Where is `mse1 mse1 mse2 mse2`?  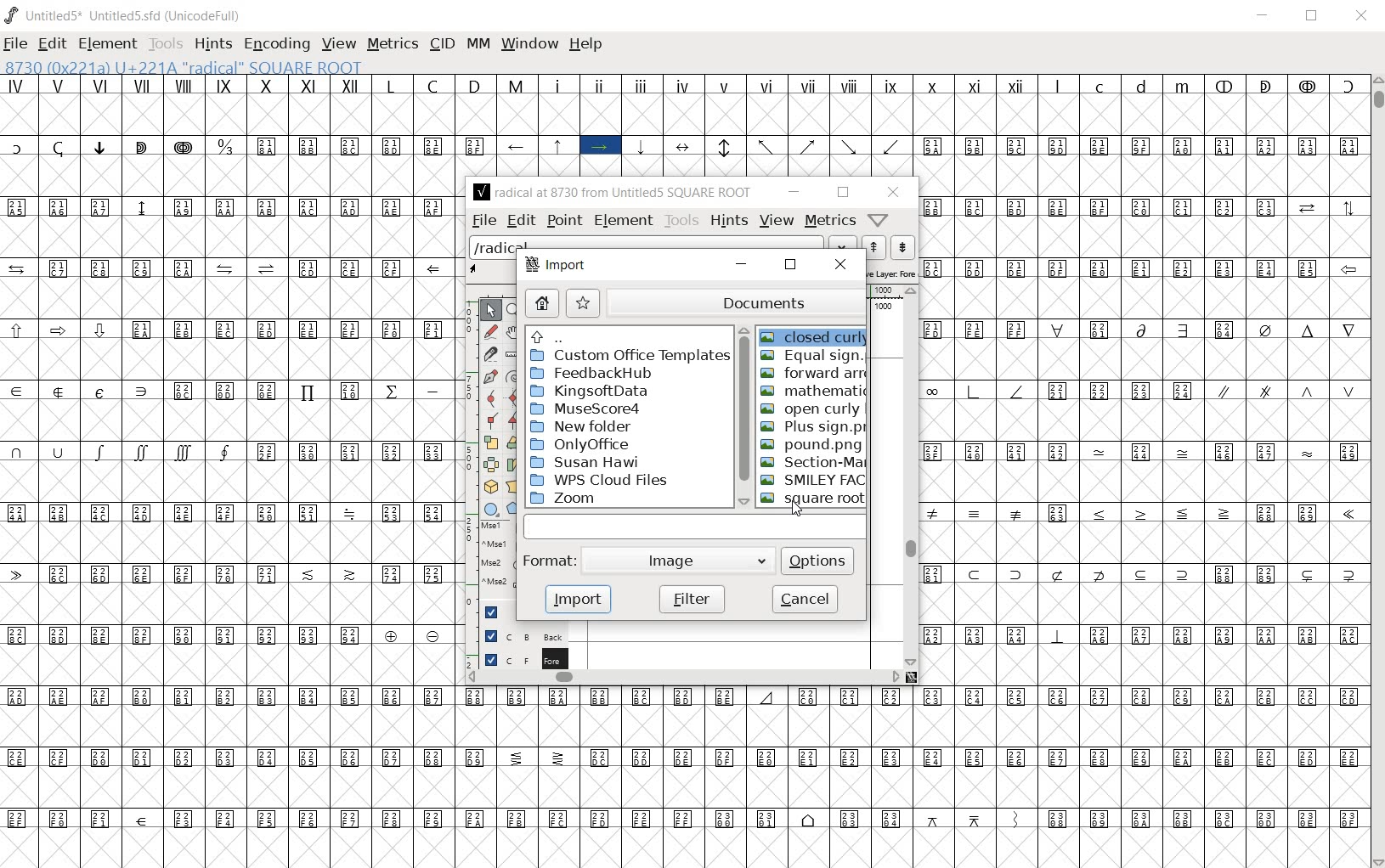
mse1 mse1 mse2 mse2 is located at coordinates (489, 557).